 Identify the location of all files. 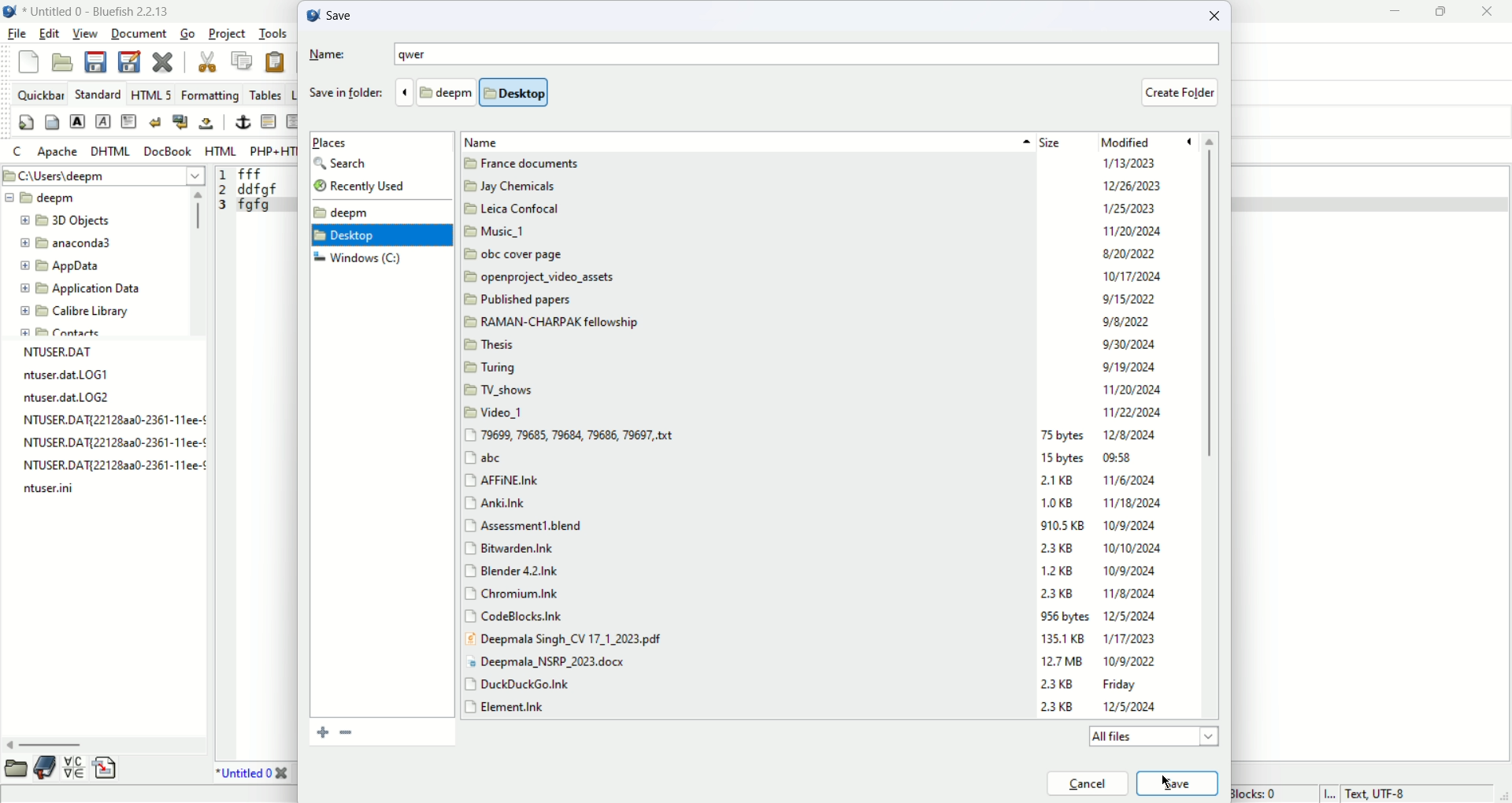
(1150, 736).